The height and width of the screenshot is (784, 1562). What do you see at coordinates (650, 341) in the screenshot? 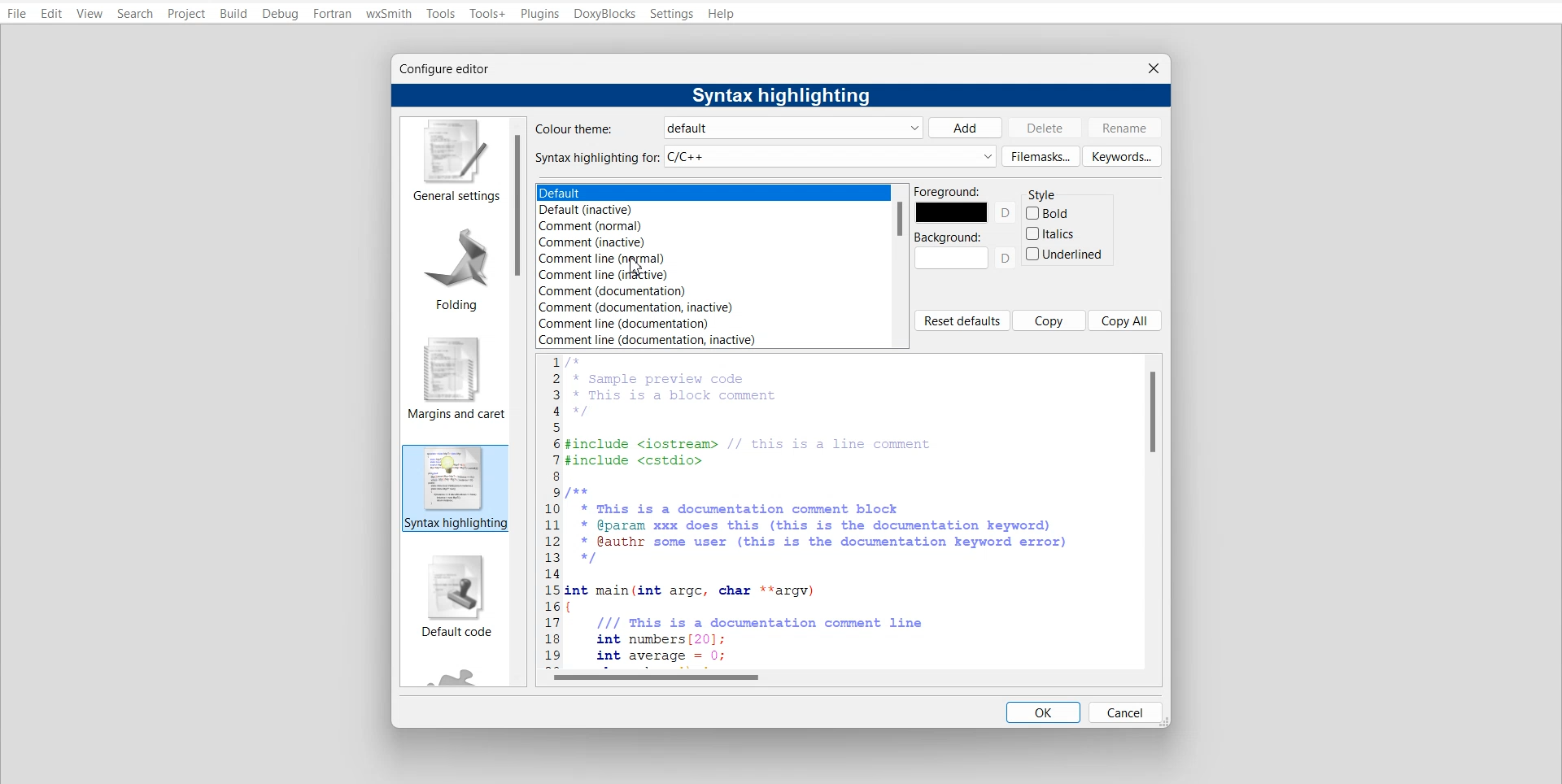
I see `‘Comment line (documentation, inactive)` at bounding box center [650, 341].